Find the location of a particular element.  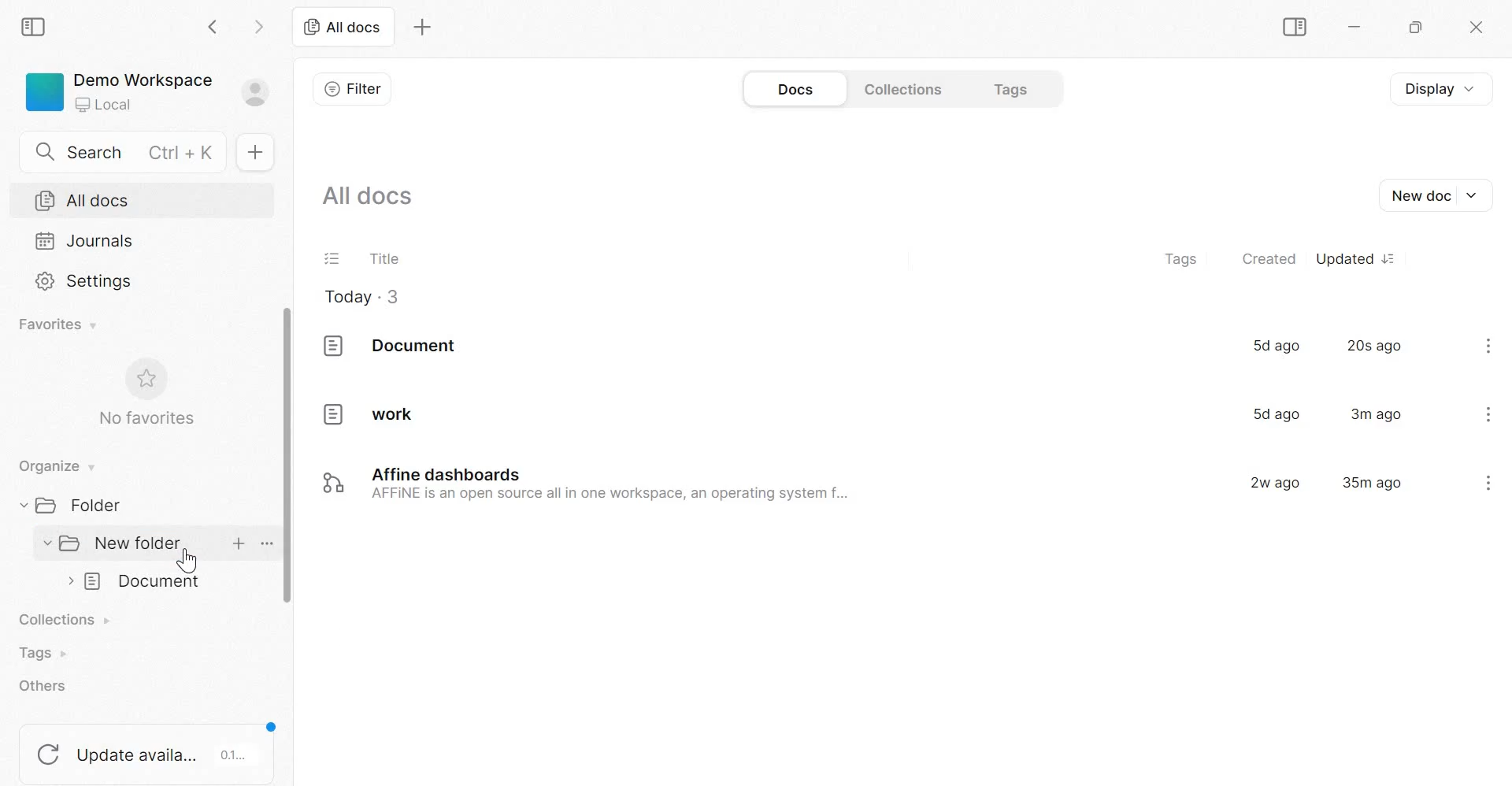

Favorites is located at coordinates (55, 324).